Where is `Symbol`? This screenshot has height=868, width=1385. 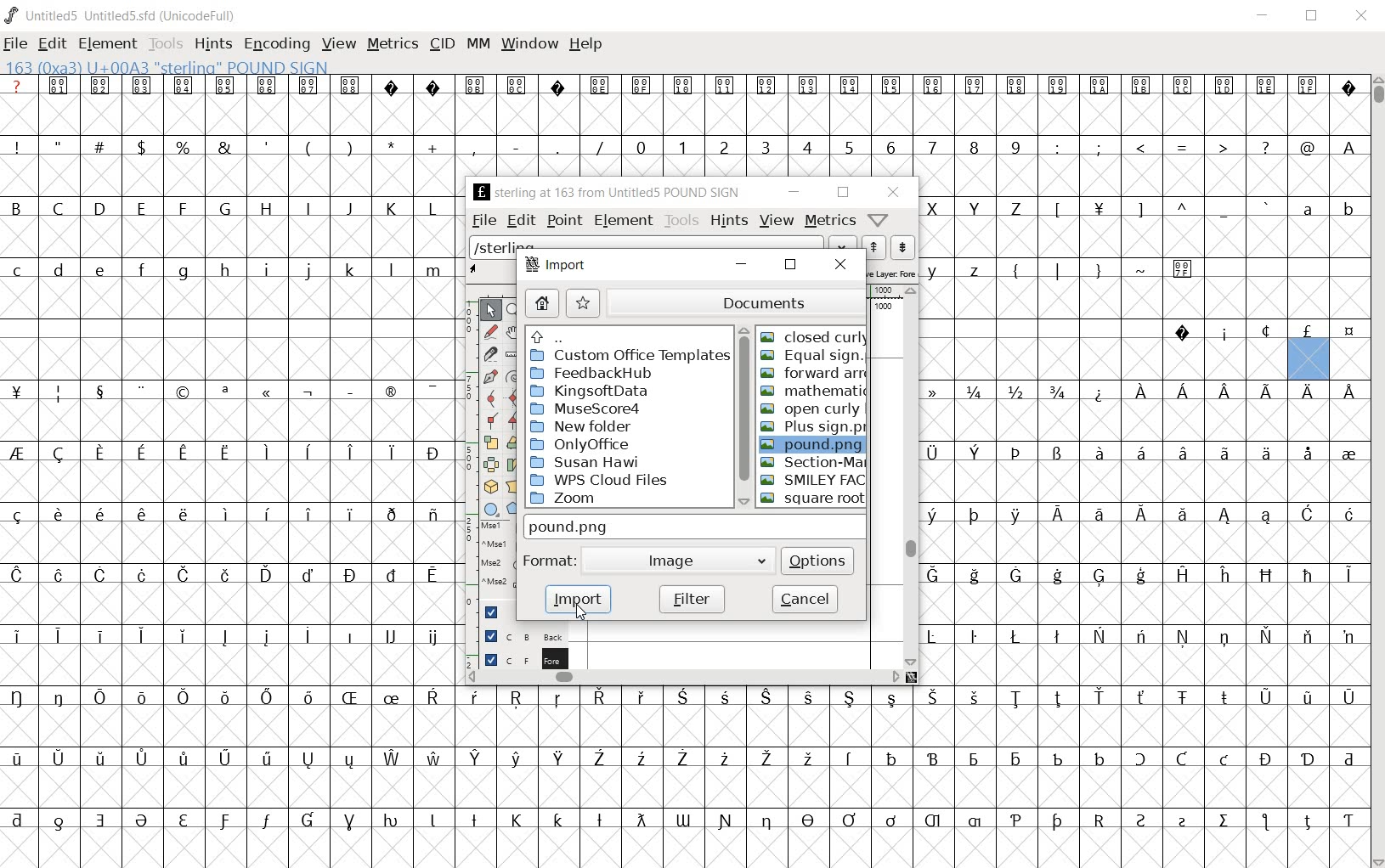
Symbol is located at coordinates (1139, 516).